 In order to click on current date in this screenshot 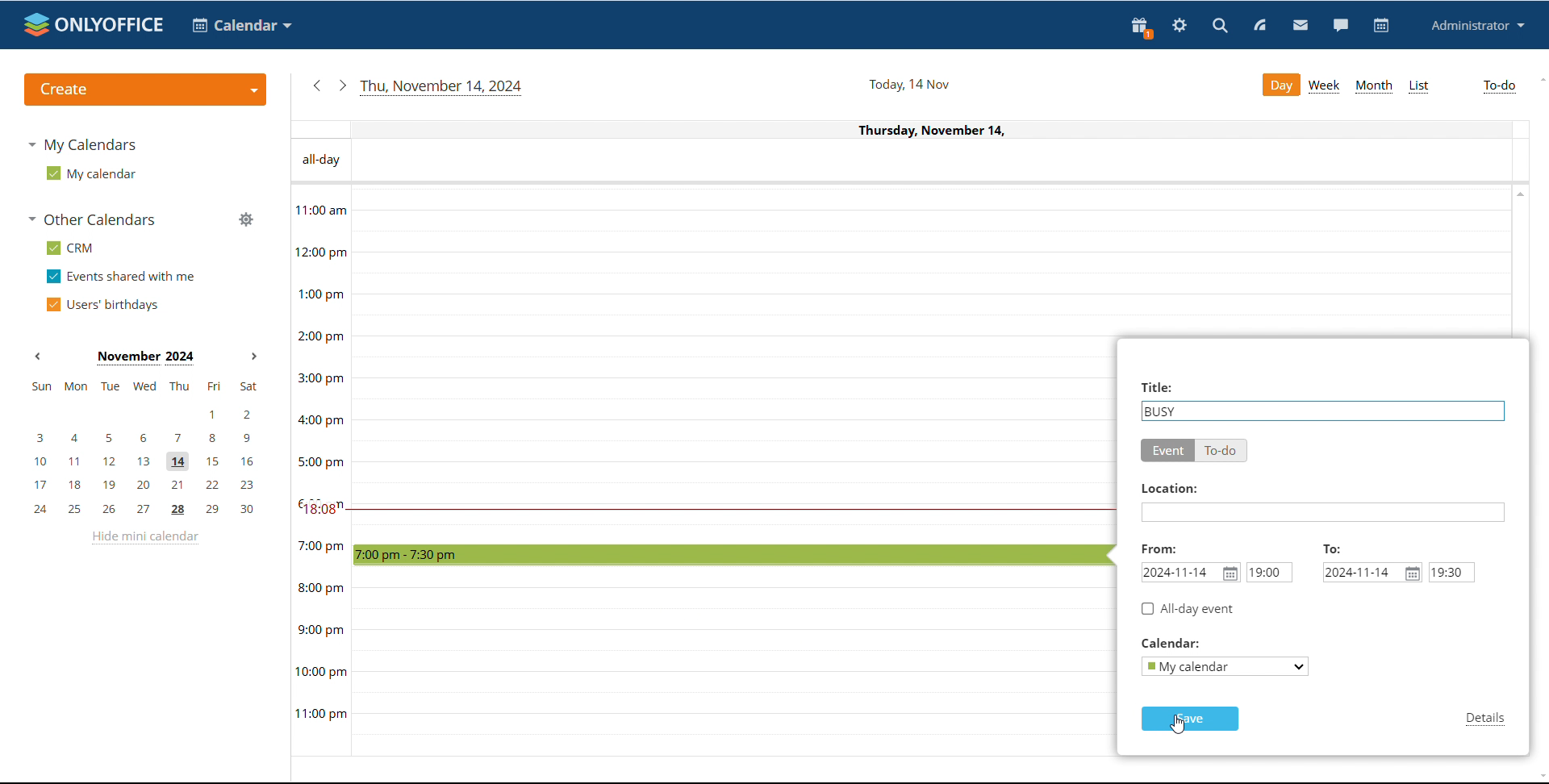, I will do `click(443, 88)`.